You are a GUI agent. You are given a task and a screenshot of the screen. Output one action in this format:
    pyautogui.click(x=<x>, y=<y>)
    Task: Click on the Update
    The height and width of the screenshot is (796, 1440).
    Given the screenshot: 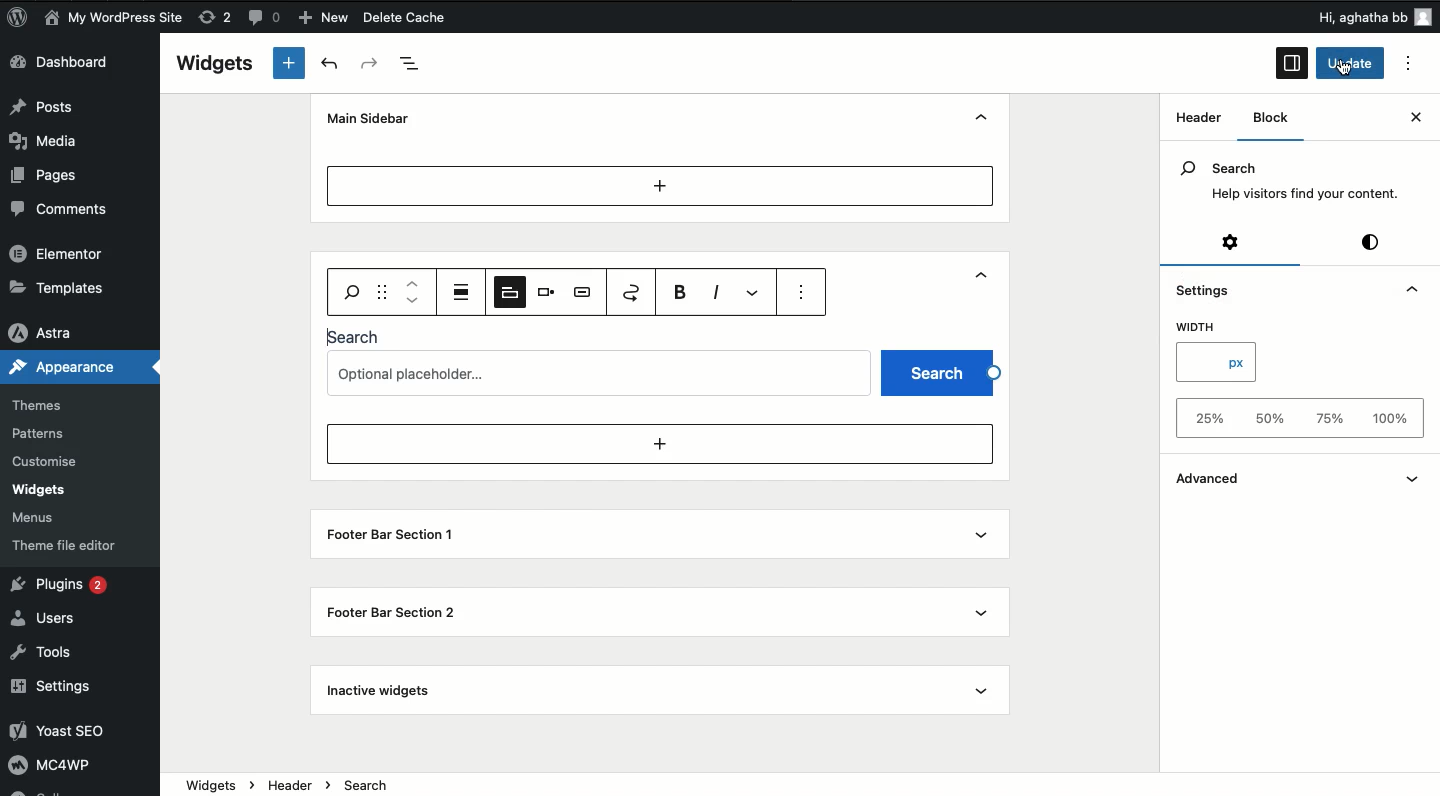 What is the action you would take?
    pyautogui.click(x=1351, y=64)
    